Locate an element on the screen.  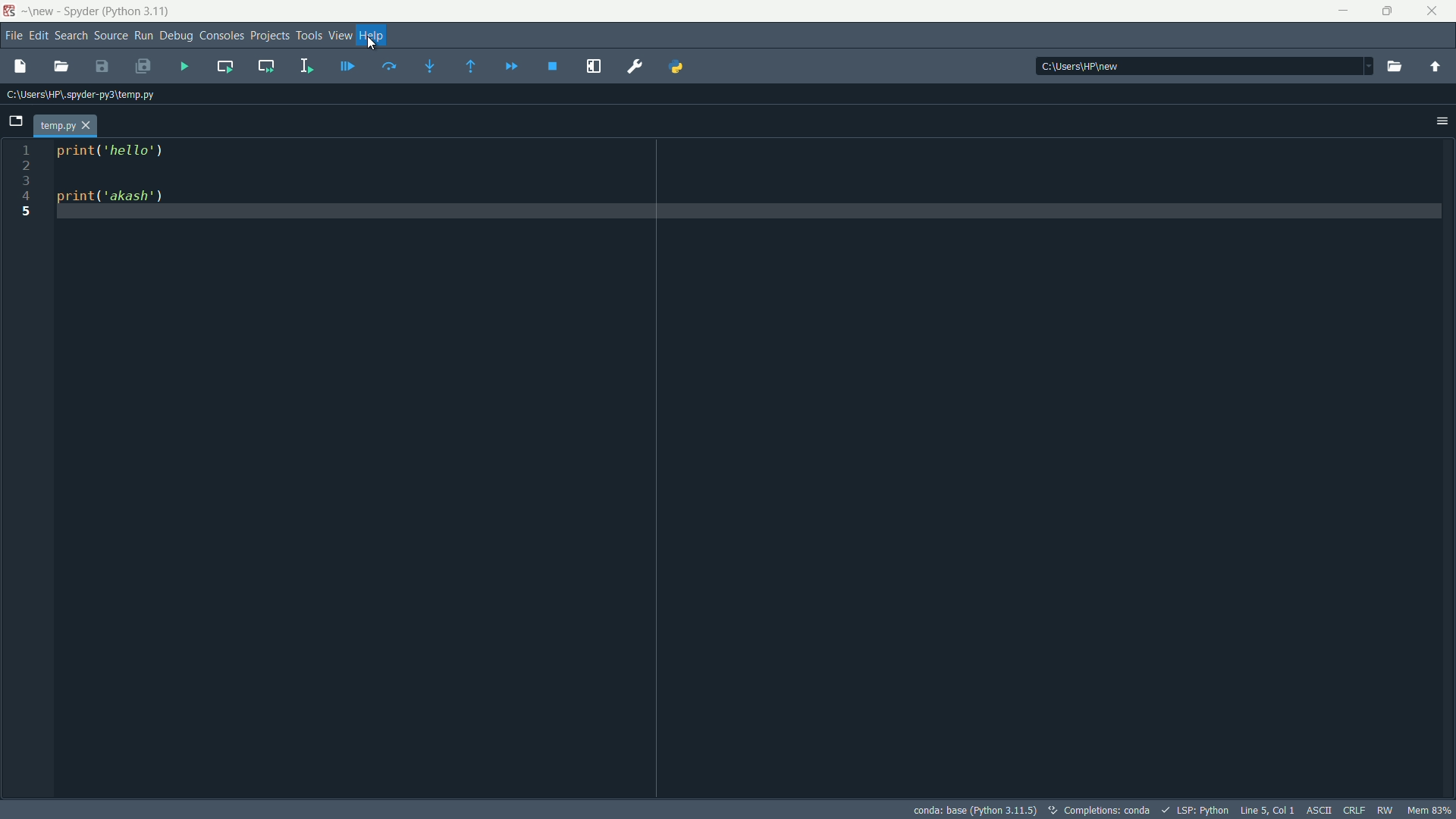
temp.py is located at coordinates (58, 127).